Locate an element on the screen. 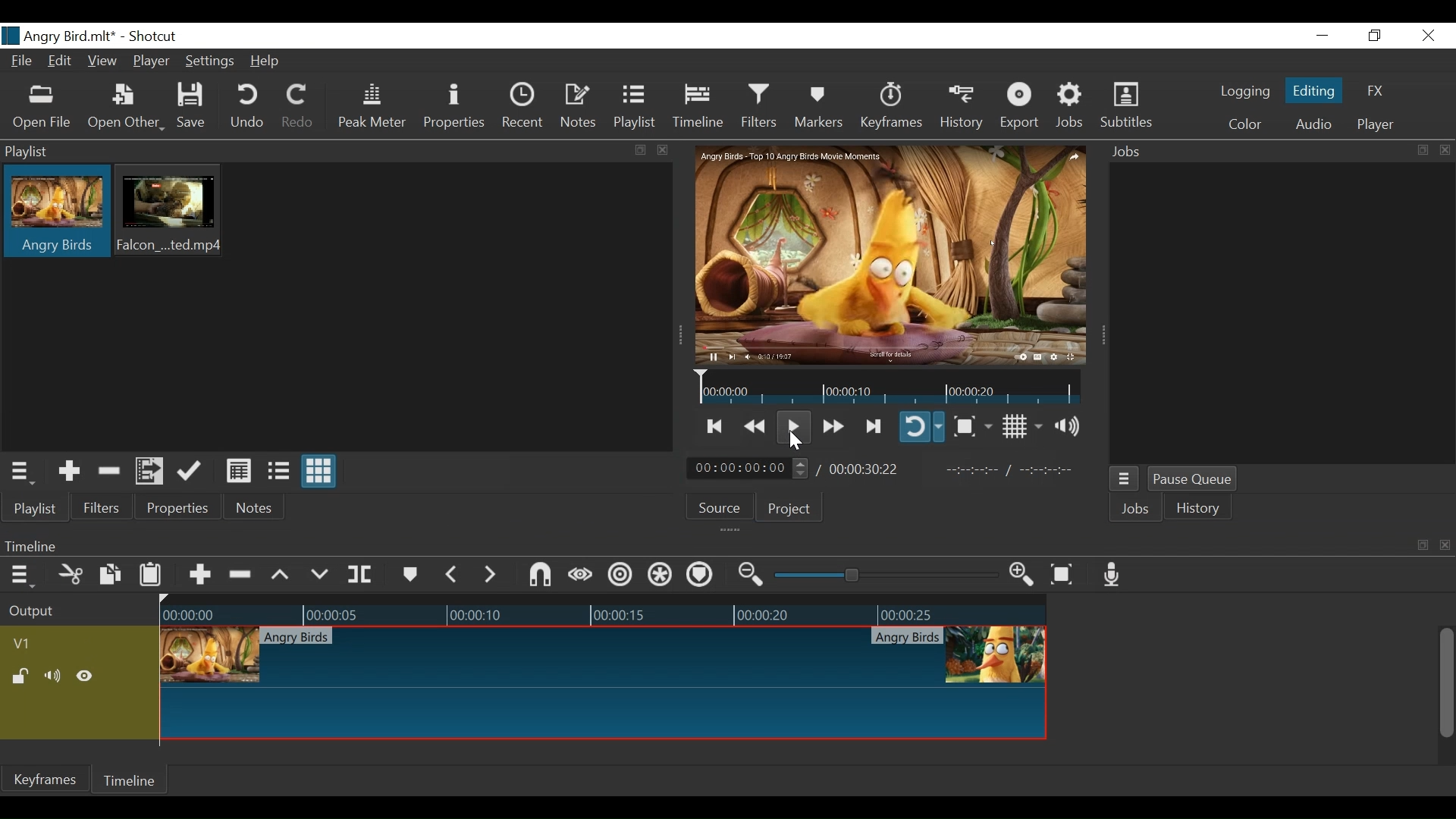  History is located at coordinates (1202, 510).